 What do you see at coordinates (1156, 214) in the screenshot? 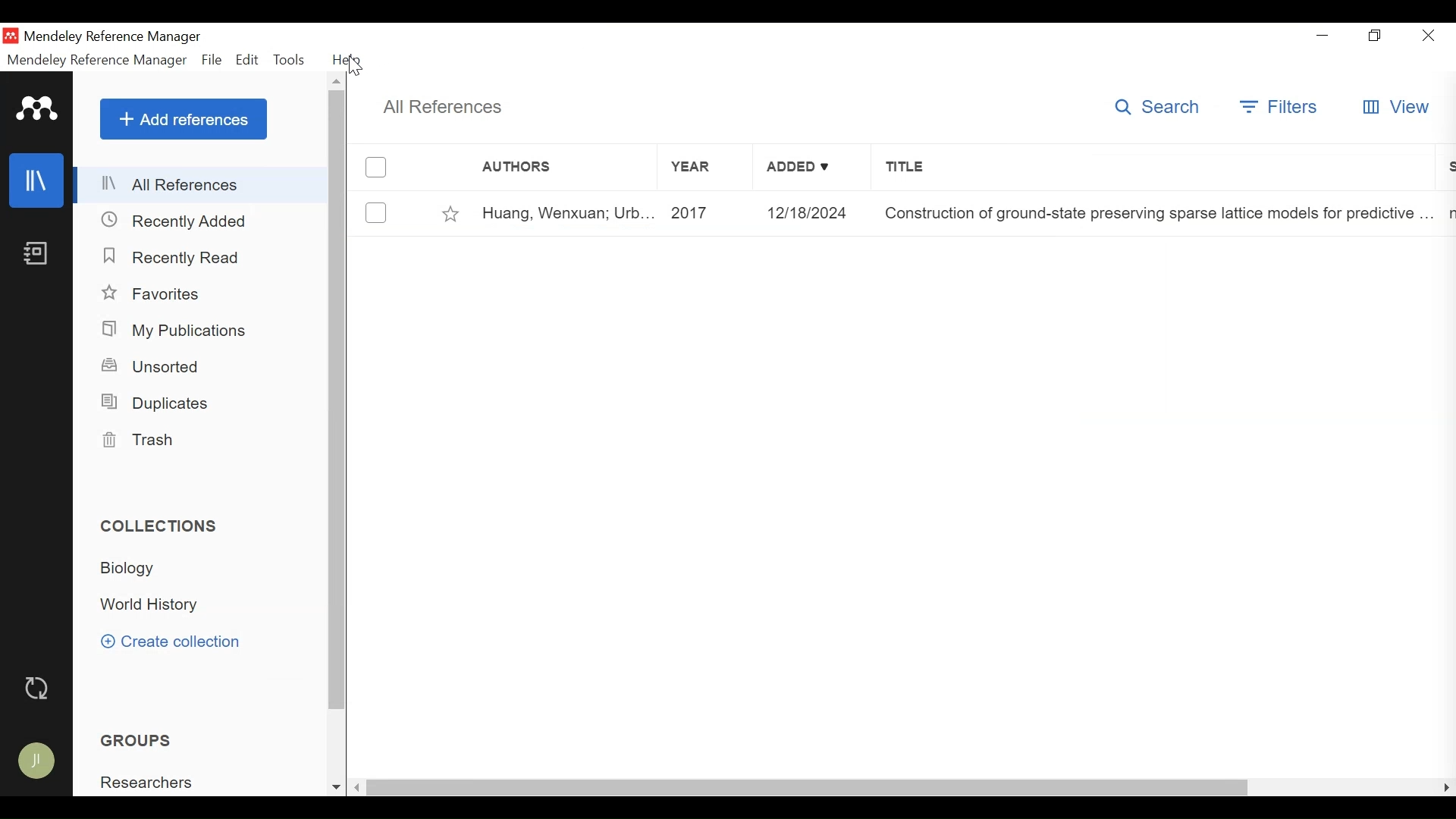
I see `Title` at bounding box center [1156, 214].